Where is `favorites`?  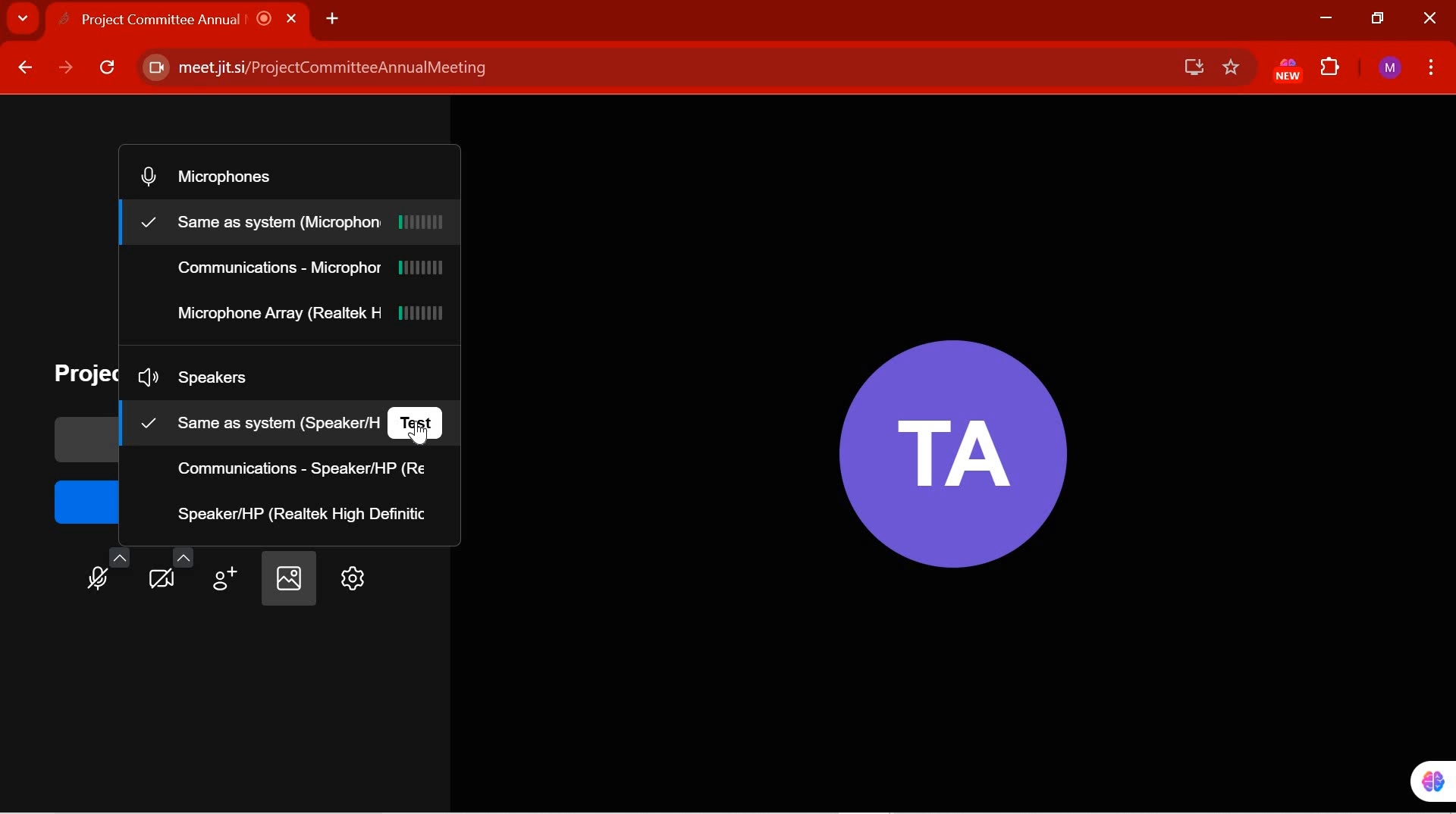 favorites is located at coordinates (1232, 68).